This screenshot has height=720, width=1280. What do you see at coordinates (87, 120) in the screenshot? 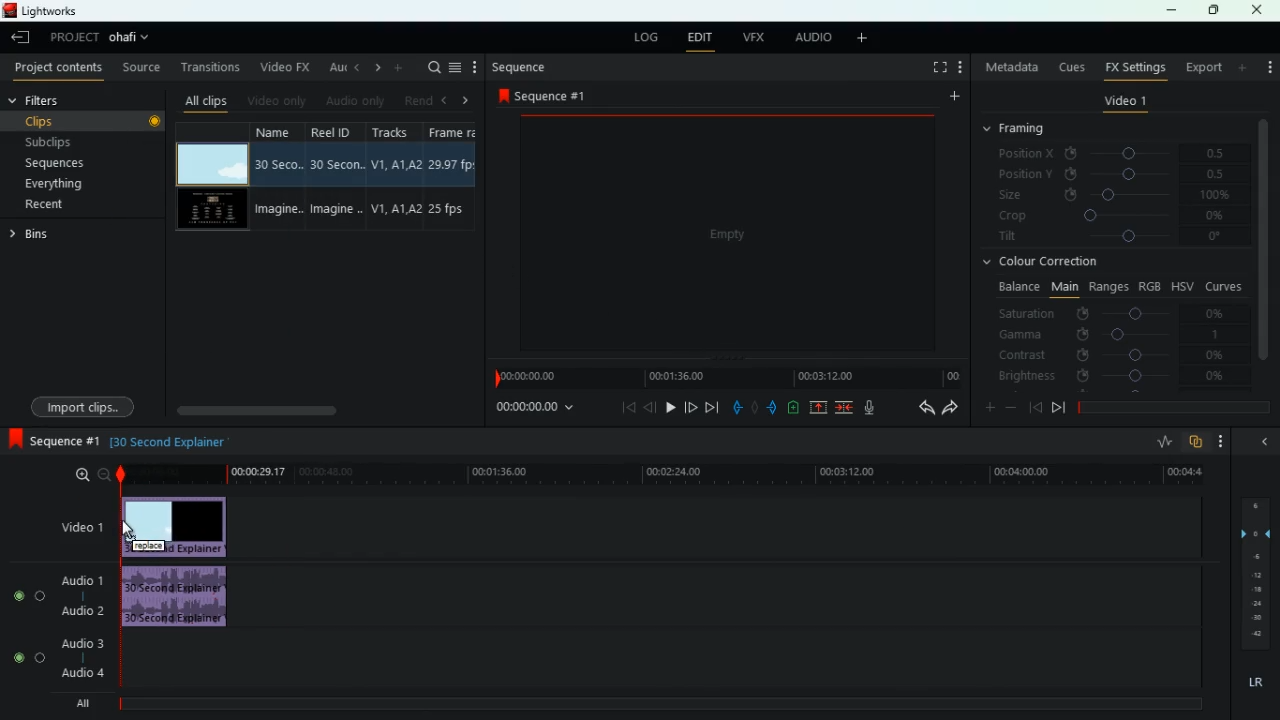
I see `clips` at bounding box center [87, 120].